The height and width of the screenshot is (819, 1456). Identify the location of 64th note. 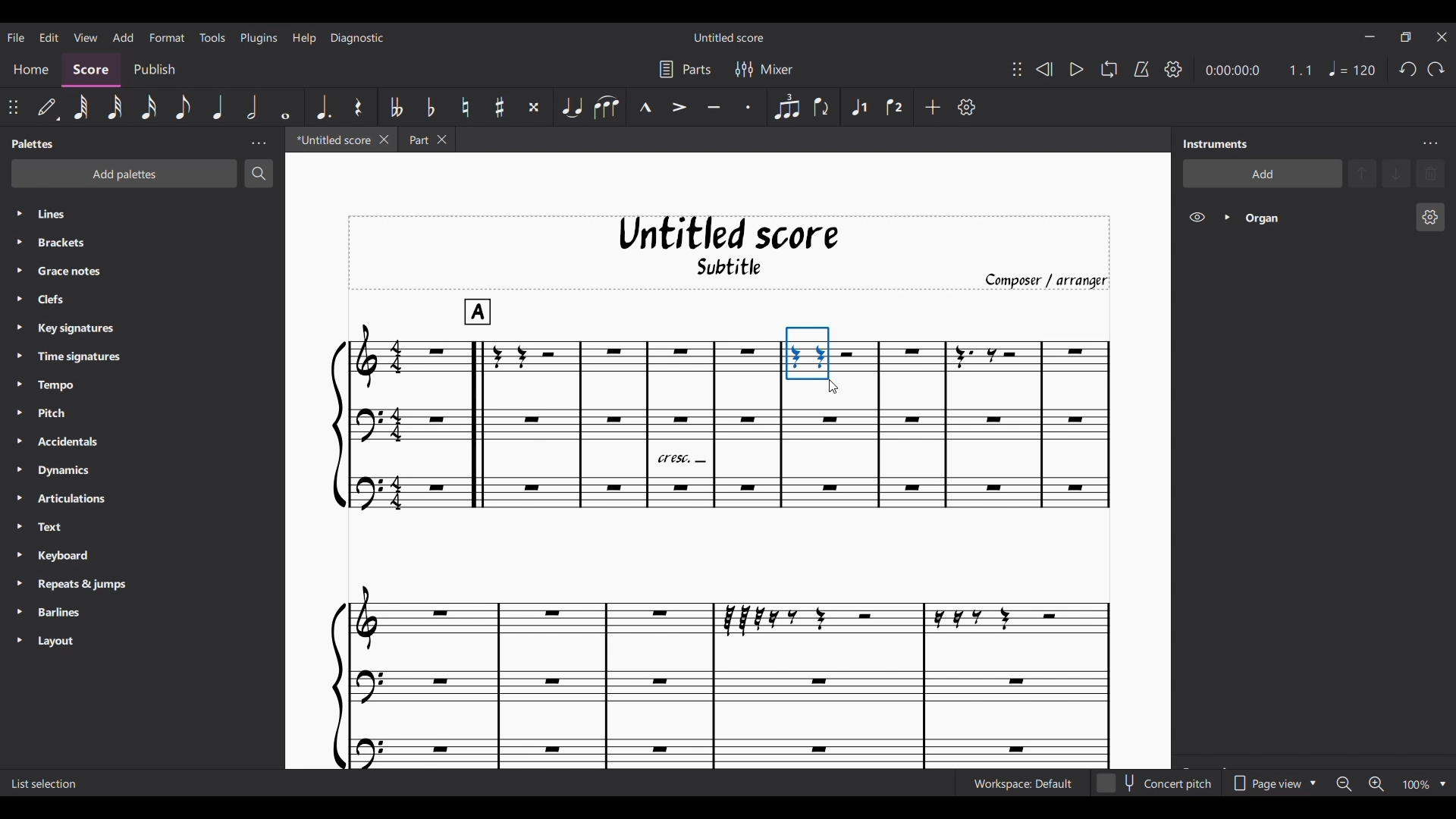
(80, 108).